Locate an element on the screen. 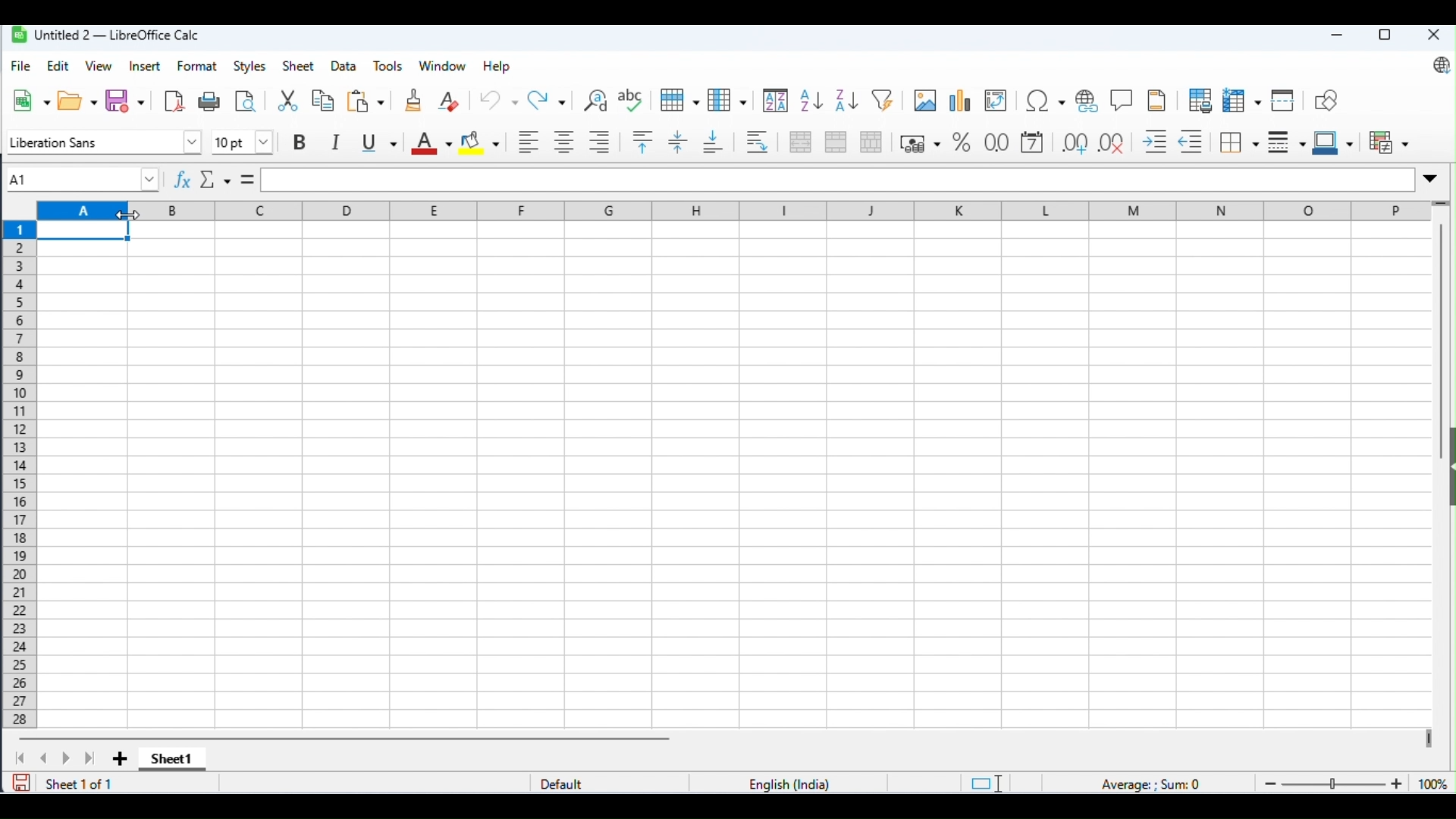 The width and height of the screenshot is (1456, 819). undo is located at coordinates (499, 99).